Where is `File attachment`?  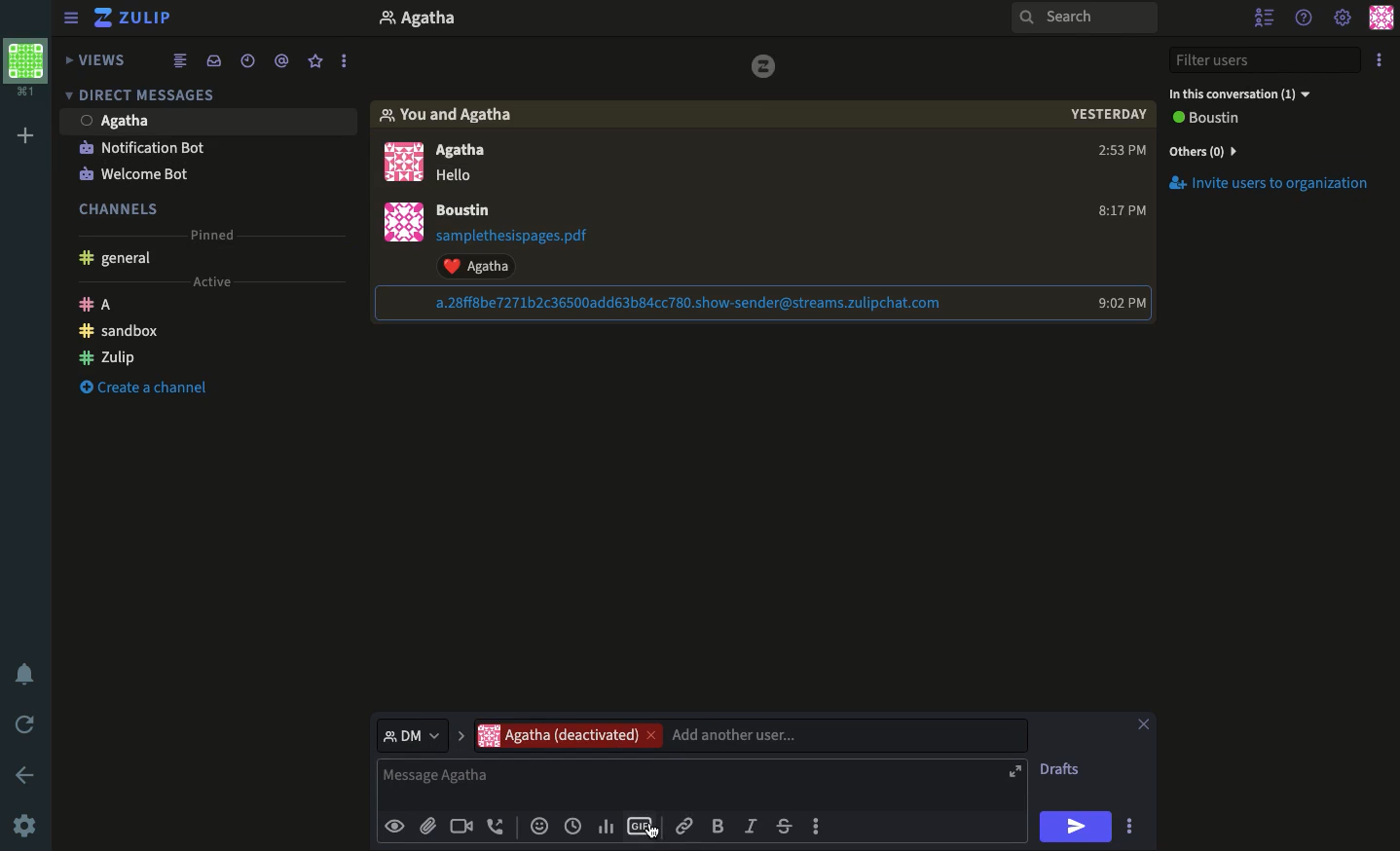
File attachment is located at coordinates (427, 826).